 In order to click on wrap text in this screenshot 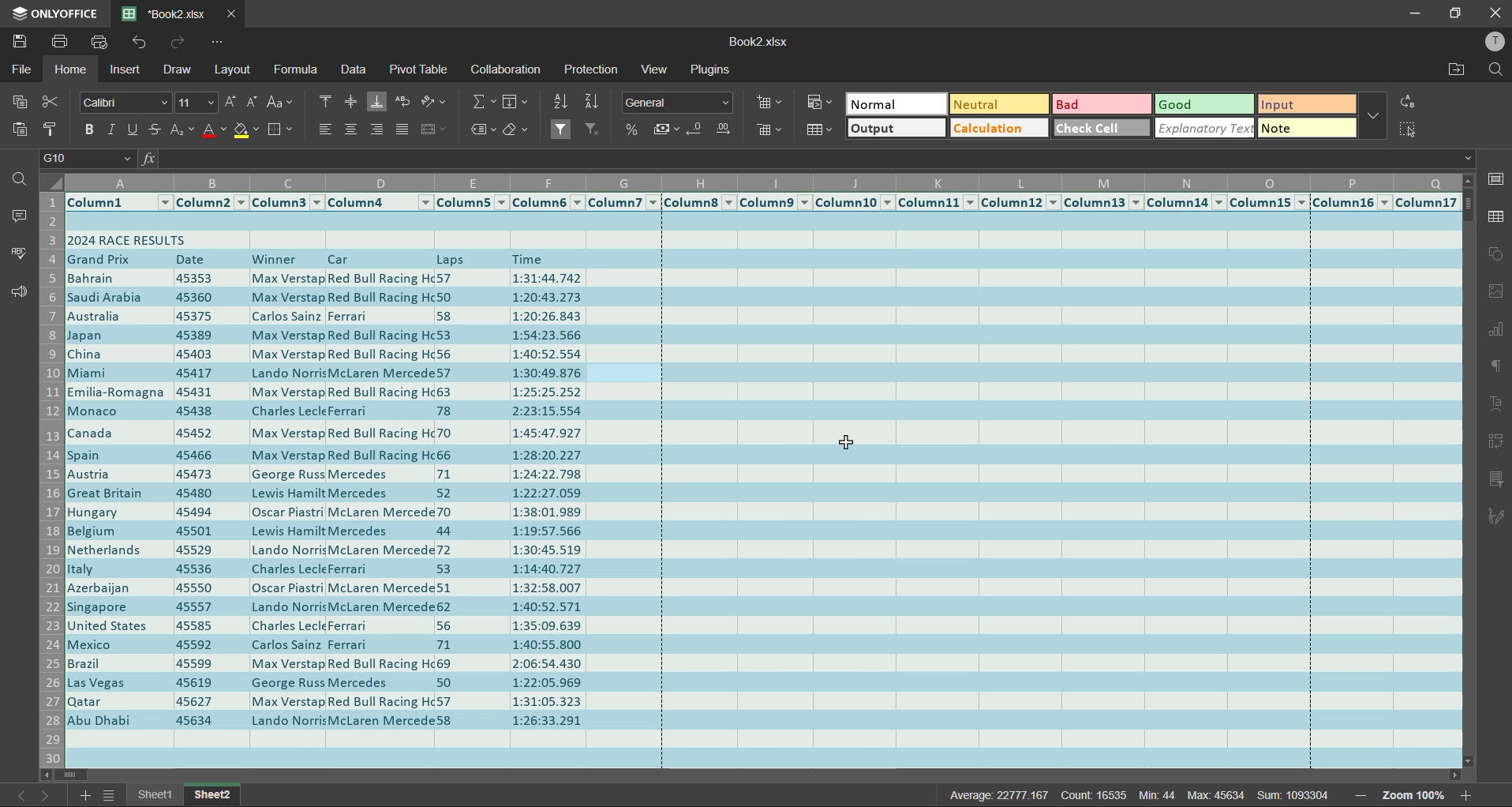, I will do `click(405, 103)`.